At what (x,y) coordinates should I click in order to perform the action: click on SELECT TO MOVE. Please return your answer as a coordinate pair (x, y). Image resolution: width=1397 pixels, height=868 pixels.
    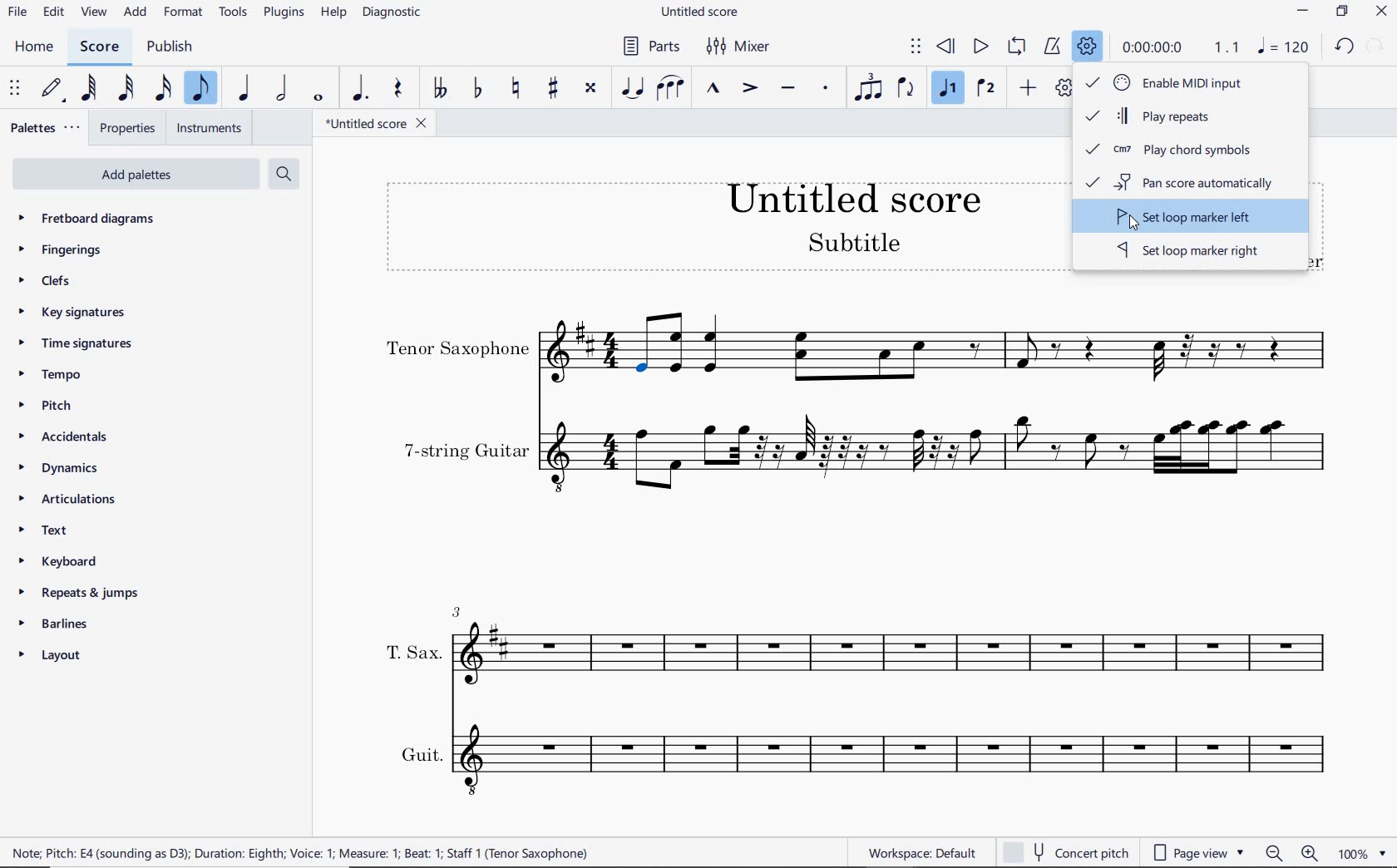
    Looking at the image, I should click on (916, 45).